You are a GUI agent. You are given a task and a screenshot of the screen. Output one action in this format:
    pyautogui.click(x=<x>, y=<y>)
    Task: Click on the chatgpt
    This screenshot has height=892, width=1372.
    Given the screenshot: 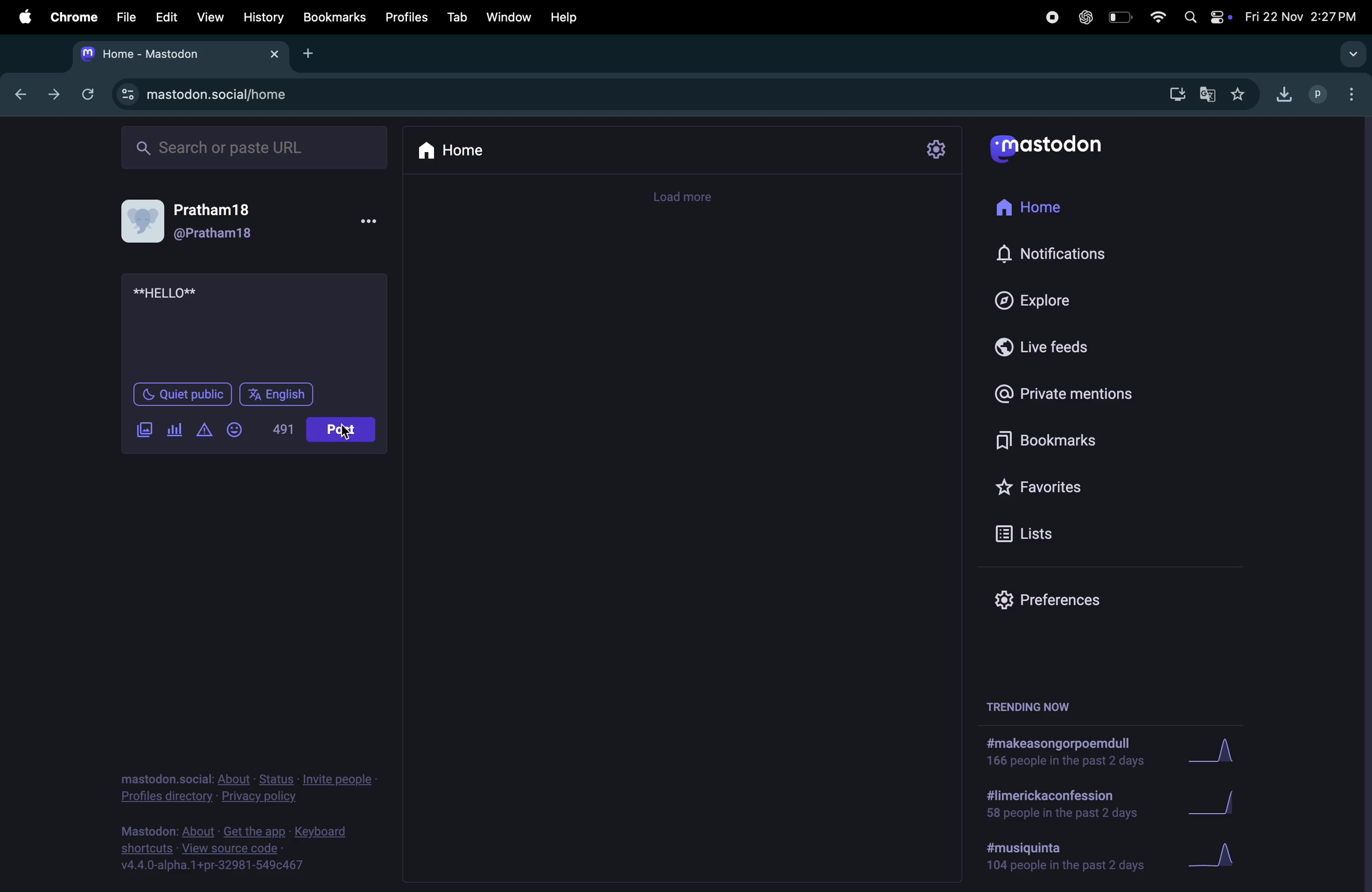 What is the action you would take?
    pyautogui.click(x=1088, y=17)
    